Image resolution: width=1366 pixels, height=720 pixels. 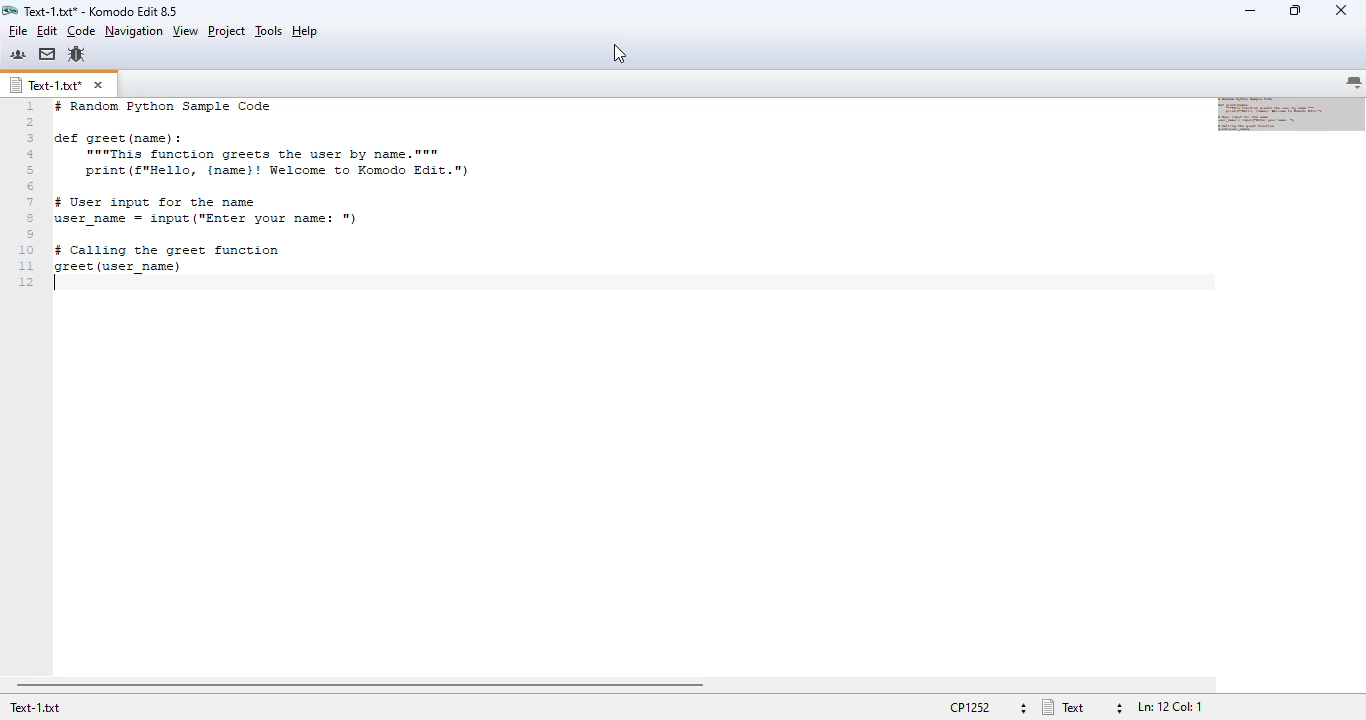 I want to click on title, so click(x=102, y=11).